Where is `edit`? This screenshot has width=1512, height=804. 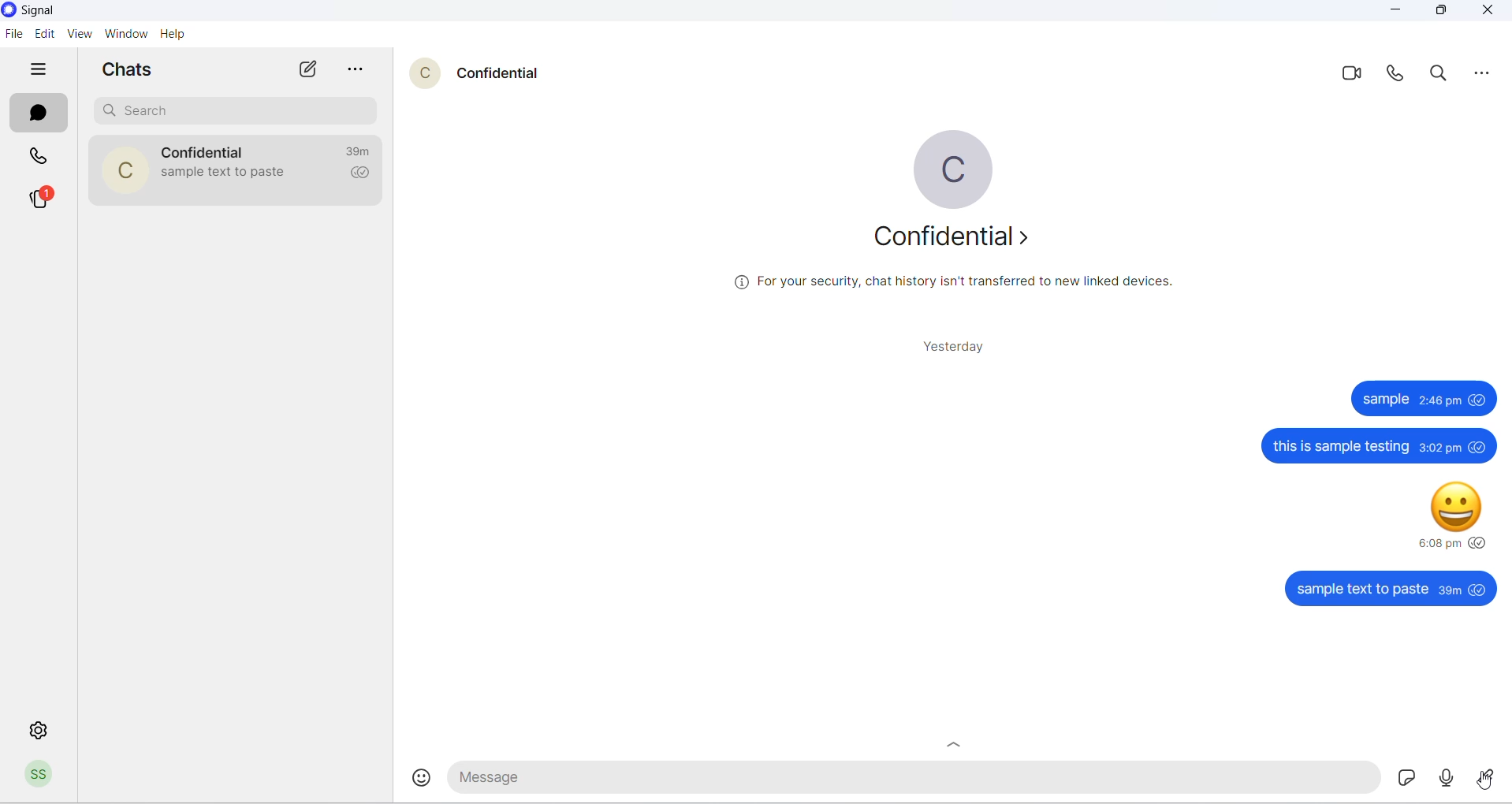
edit is located at coordinates (42, 33).